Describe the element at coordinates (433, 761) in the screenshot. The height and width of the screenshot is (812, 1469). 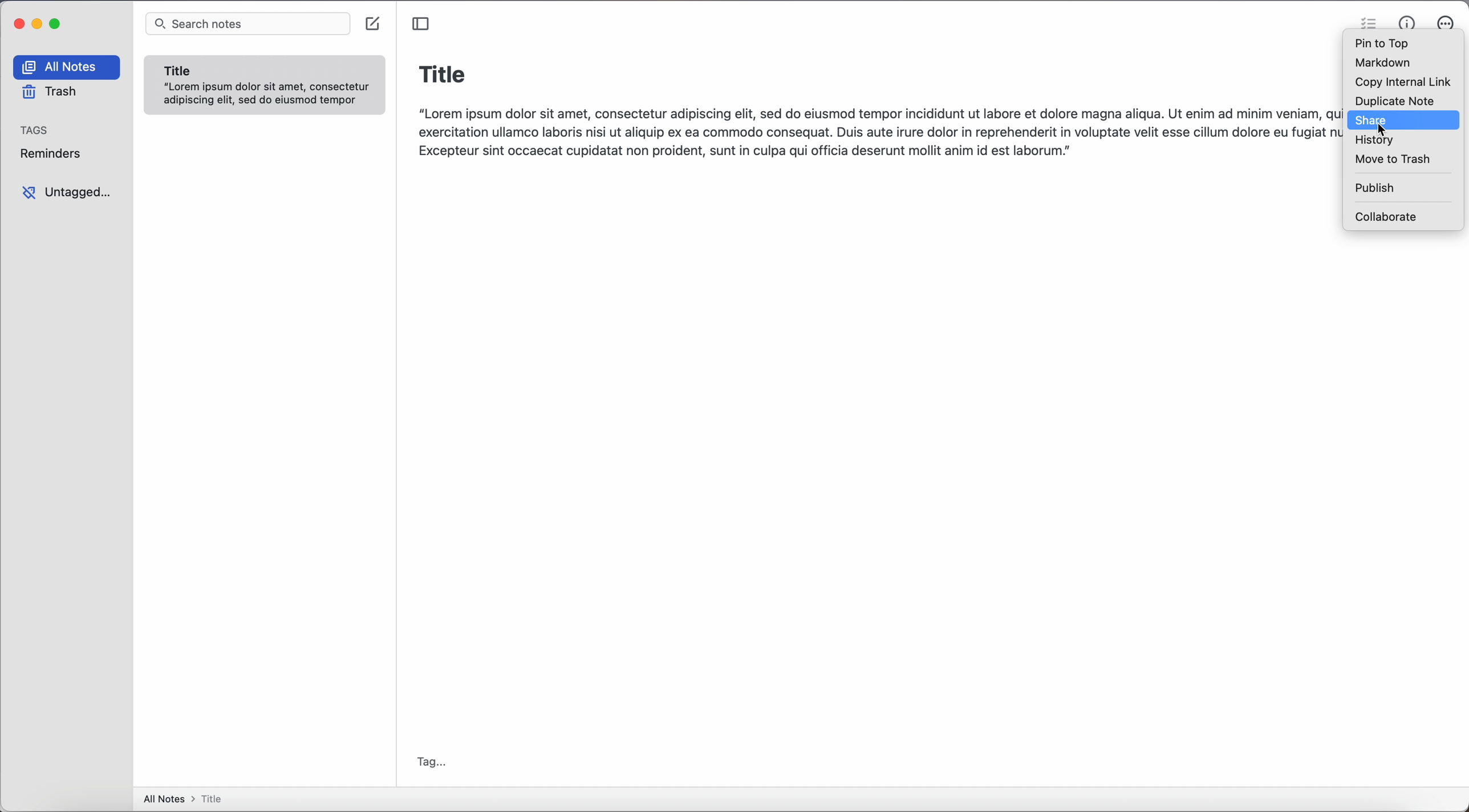
I see `tag...` at that location.